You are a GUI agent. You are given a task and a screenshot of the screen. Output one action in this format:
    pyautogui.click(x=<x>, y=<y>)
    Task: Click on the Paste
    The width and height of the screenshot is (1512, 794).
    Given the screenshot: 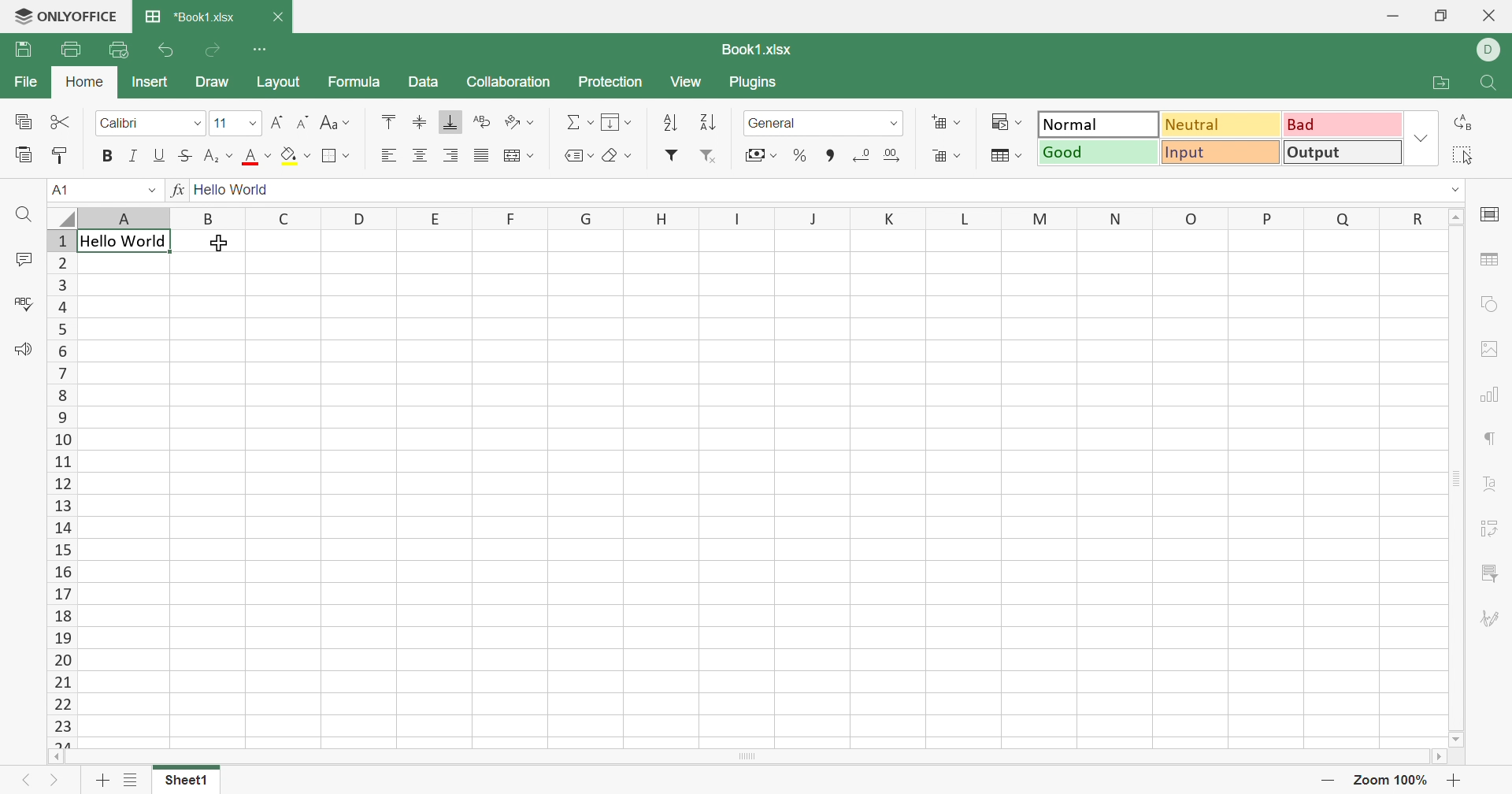 What is the action you would take?
    pyautogui.click(x=23, y=156)
    